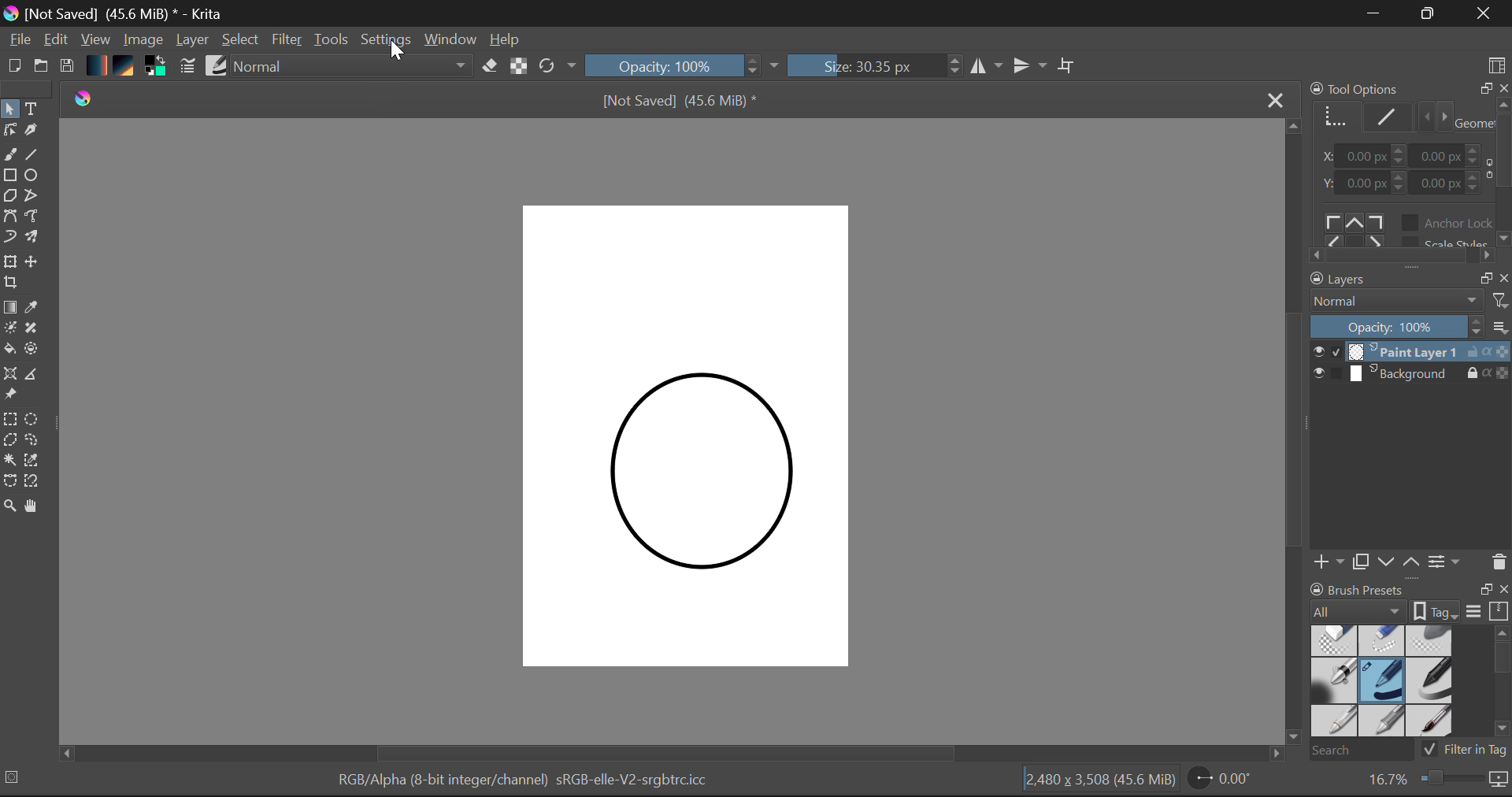  I want to click on Window, so click(453, 40).